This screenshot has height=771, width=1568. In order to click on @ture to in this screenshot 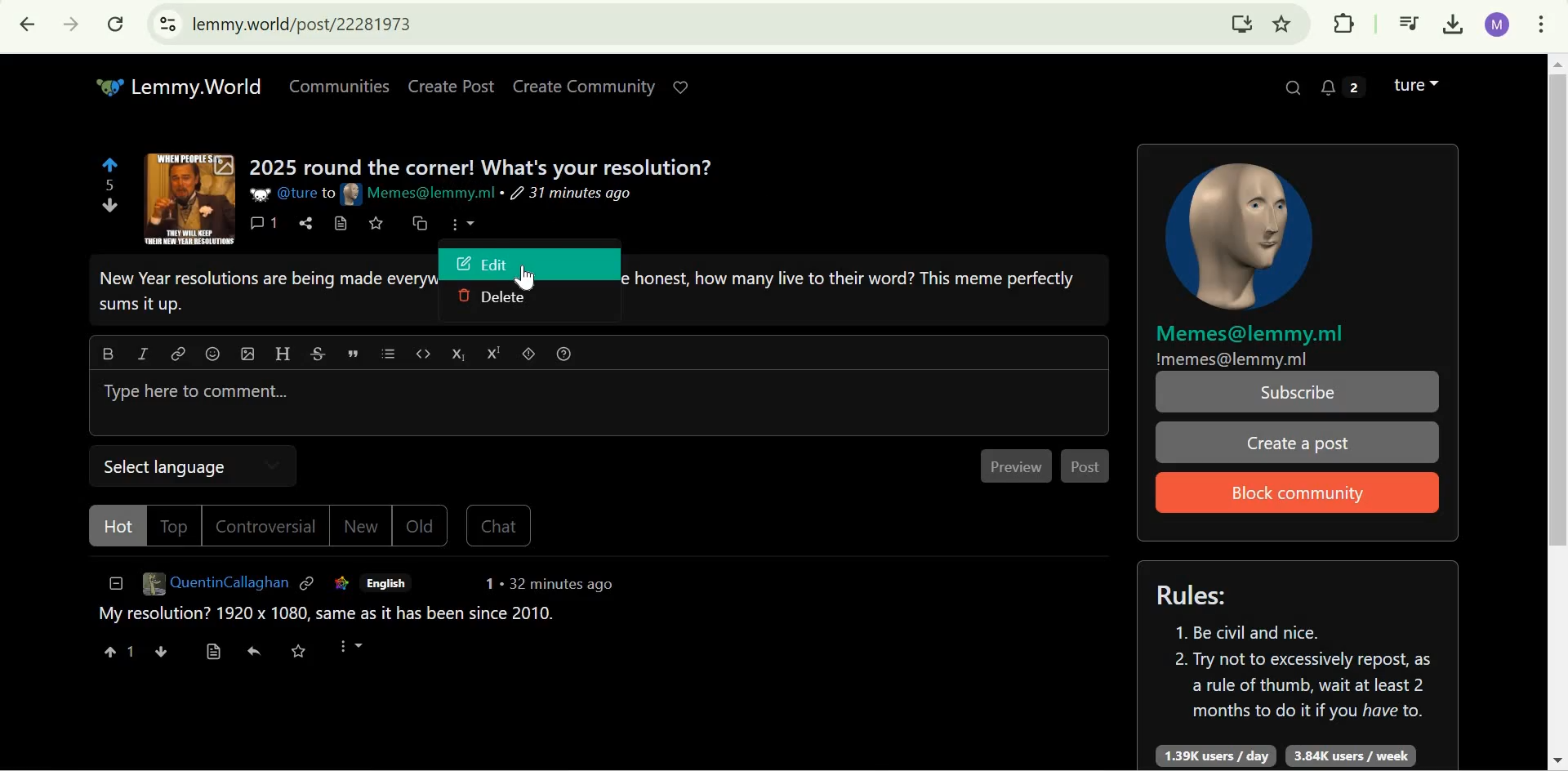, I will do `click(292, 192)`.